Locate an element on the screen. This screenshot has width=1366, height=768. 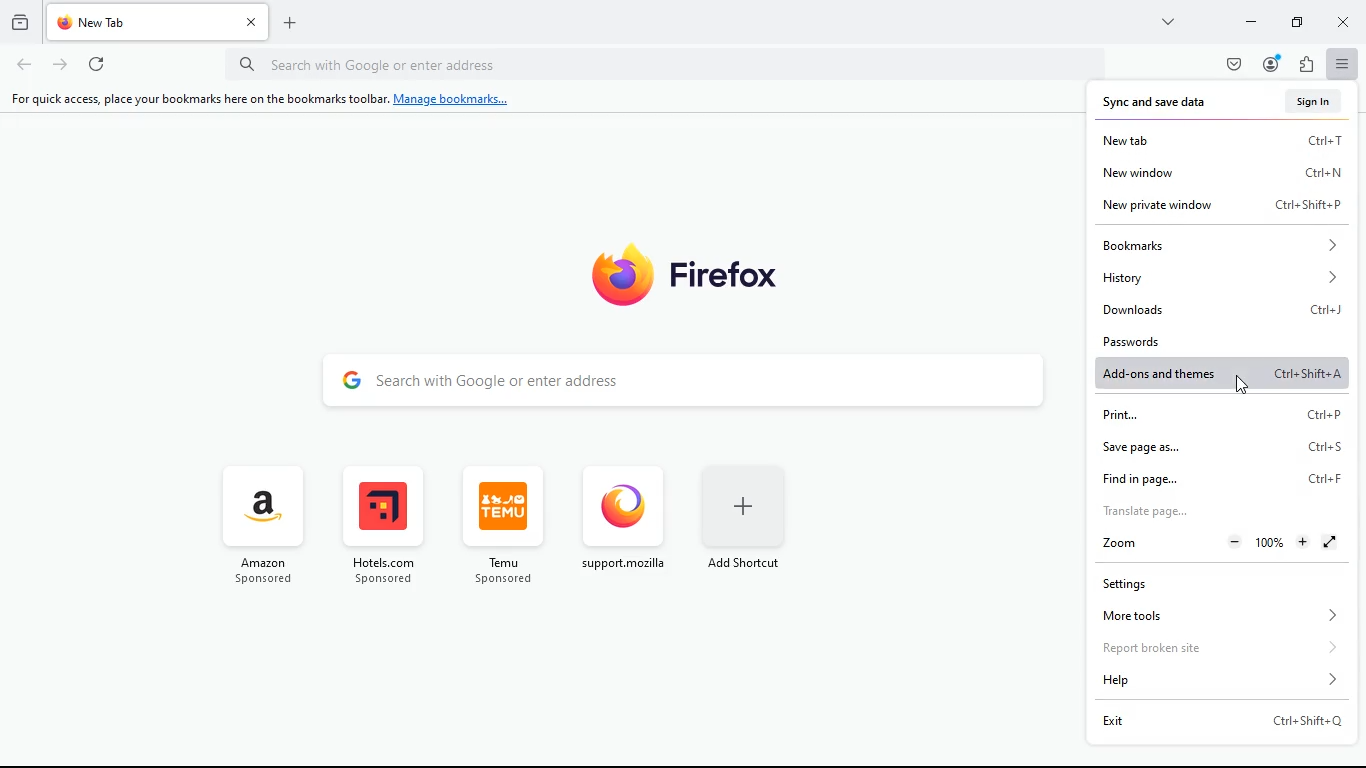
find in page  ctrl+f is located at coordinates (1220, 478).